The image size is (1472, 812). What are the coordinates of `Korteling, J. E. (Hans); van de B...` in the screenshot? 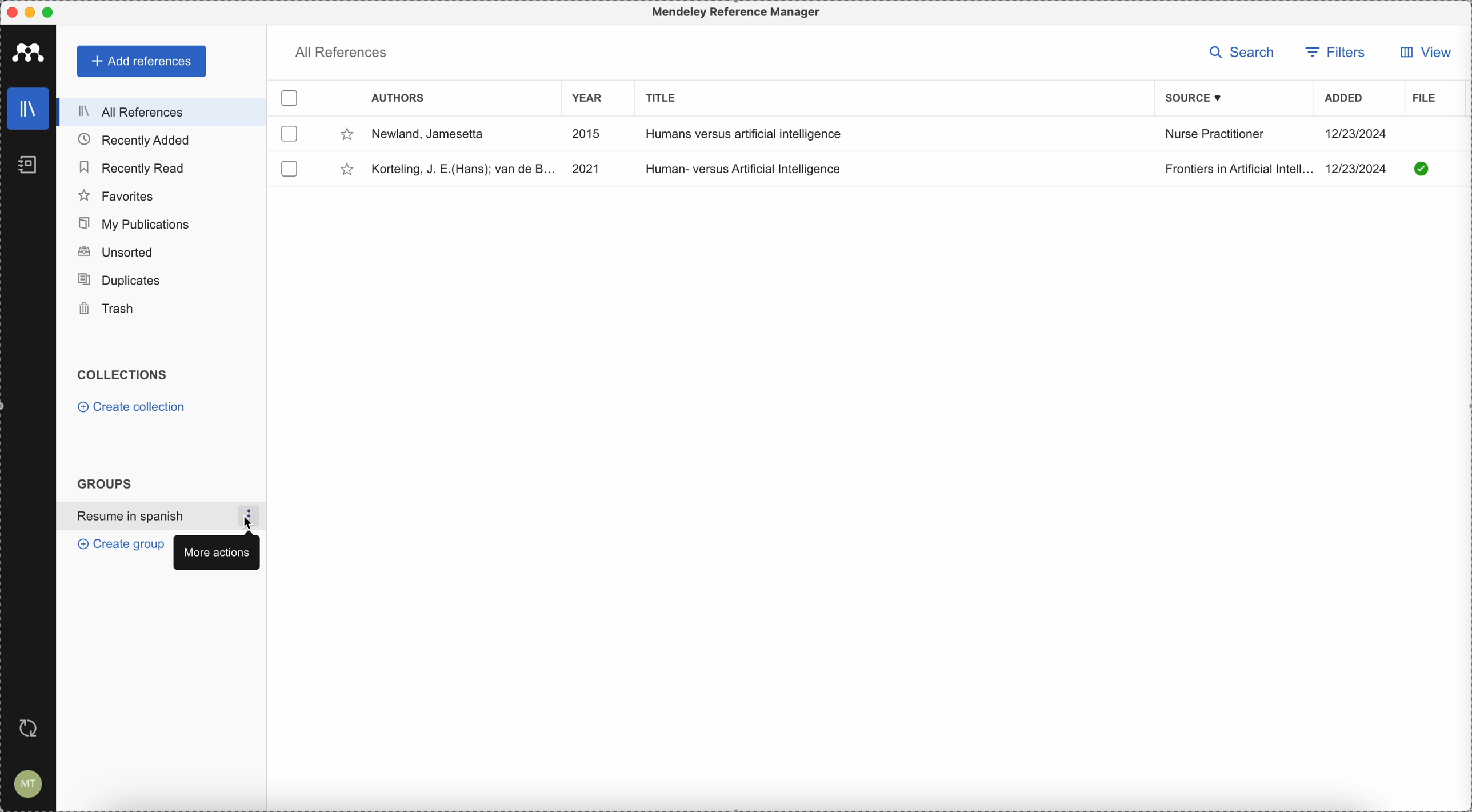 It's located at (461, 167).